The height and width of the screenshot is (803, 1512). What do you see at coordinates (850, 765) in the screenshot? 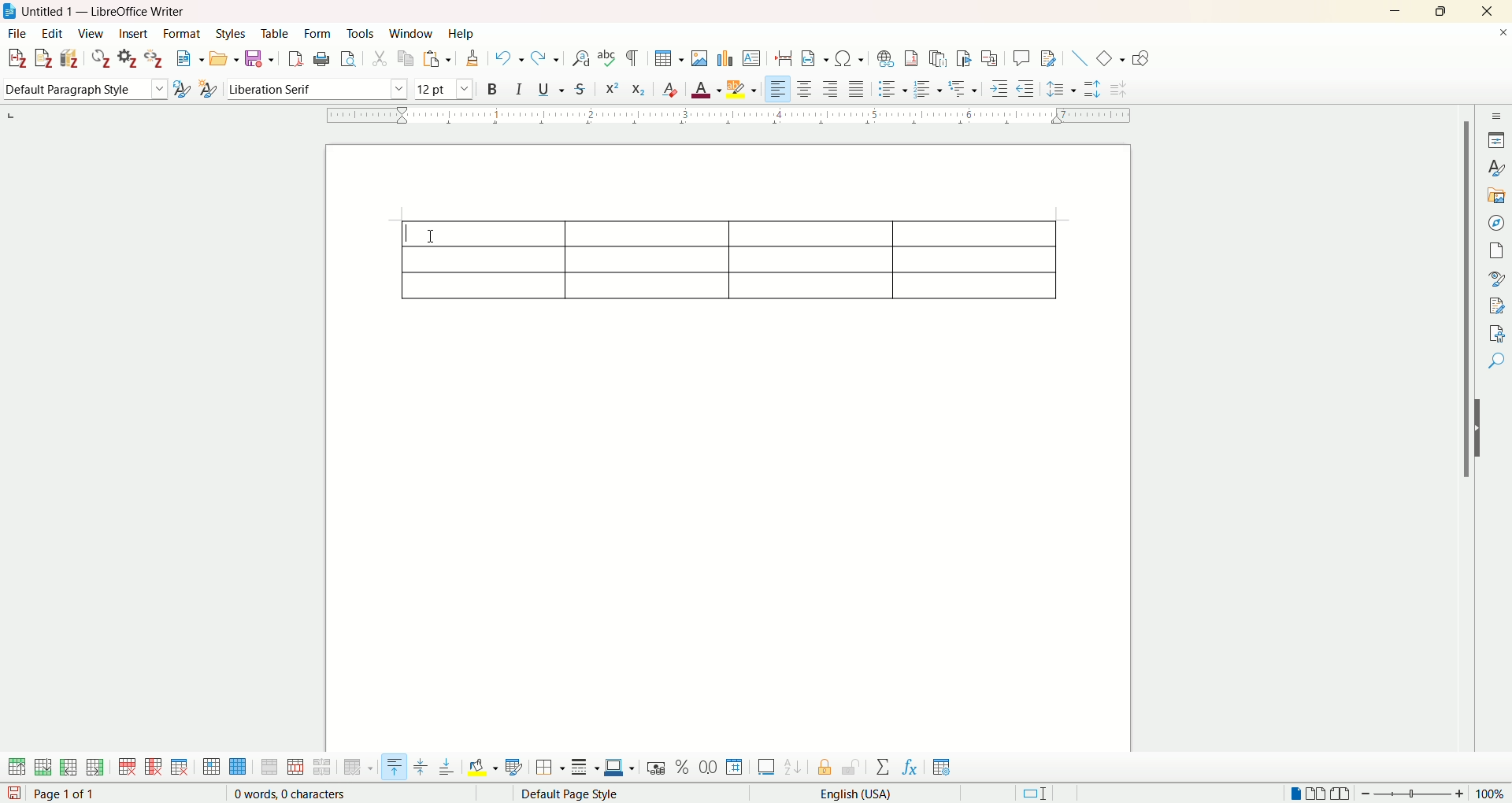
I see `unprotect cell` at bounding box center [850, 765].